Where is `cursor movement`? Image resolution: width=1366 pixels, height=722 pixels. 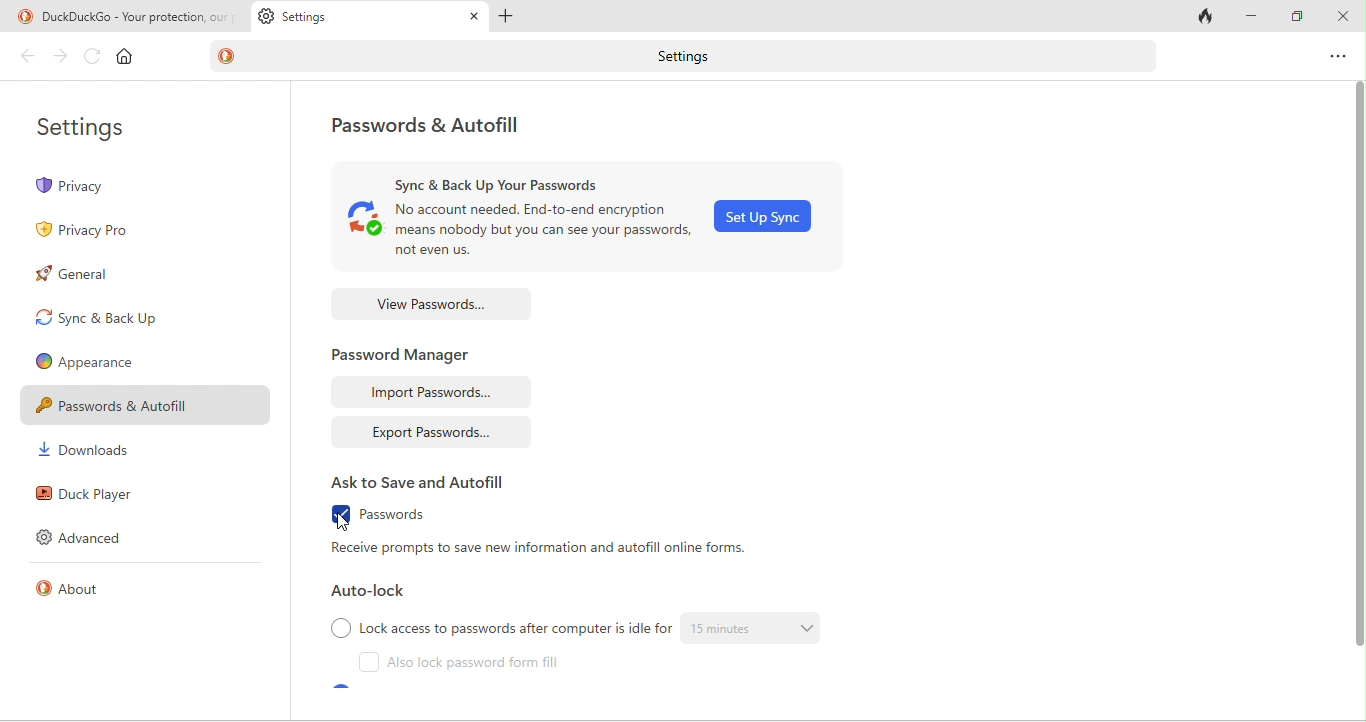
cursor movement is located at coordinates (345, 522).